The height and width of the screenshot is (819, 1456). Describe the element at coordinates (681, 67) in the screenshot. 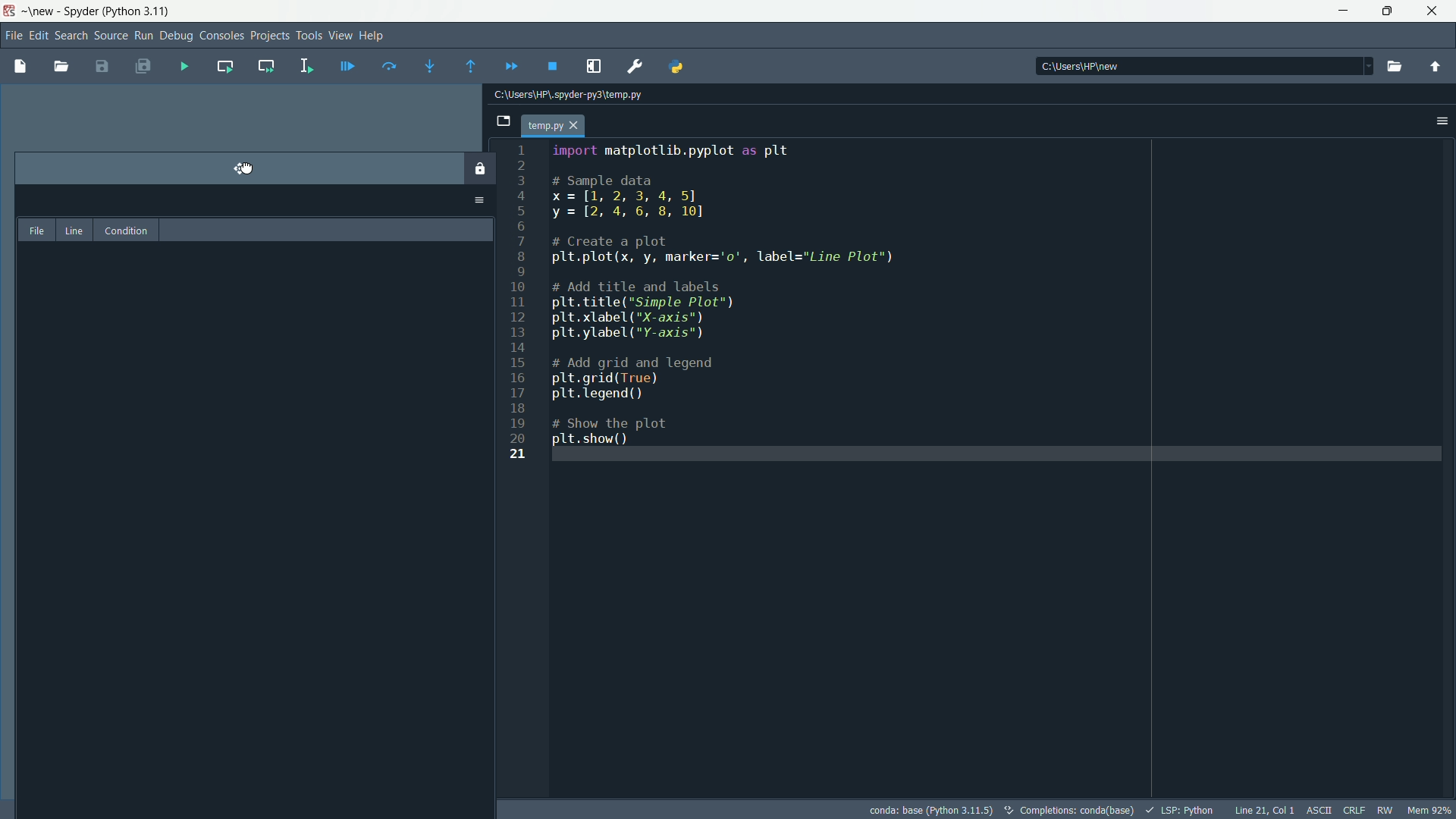

I see `python path manager` at that location.